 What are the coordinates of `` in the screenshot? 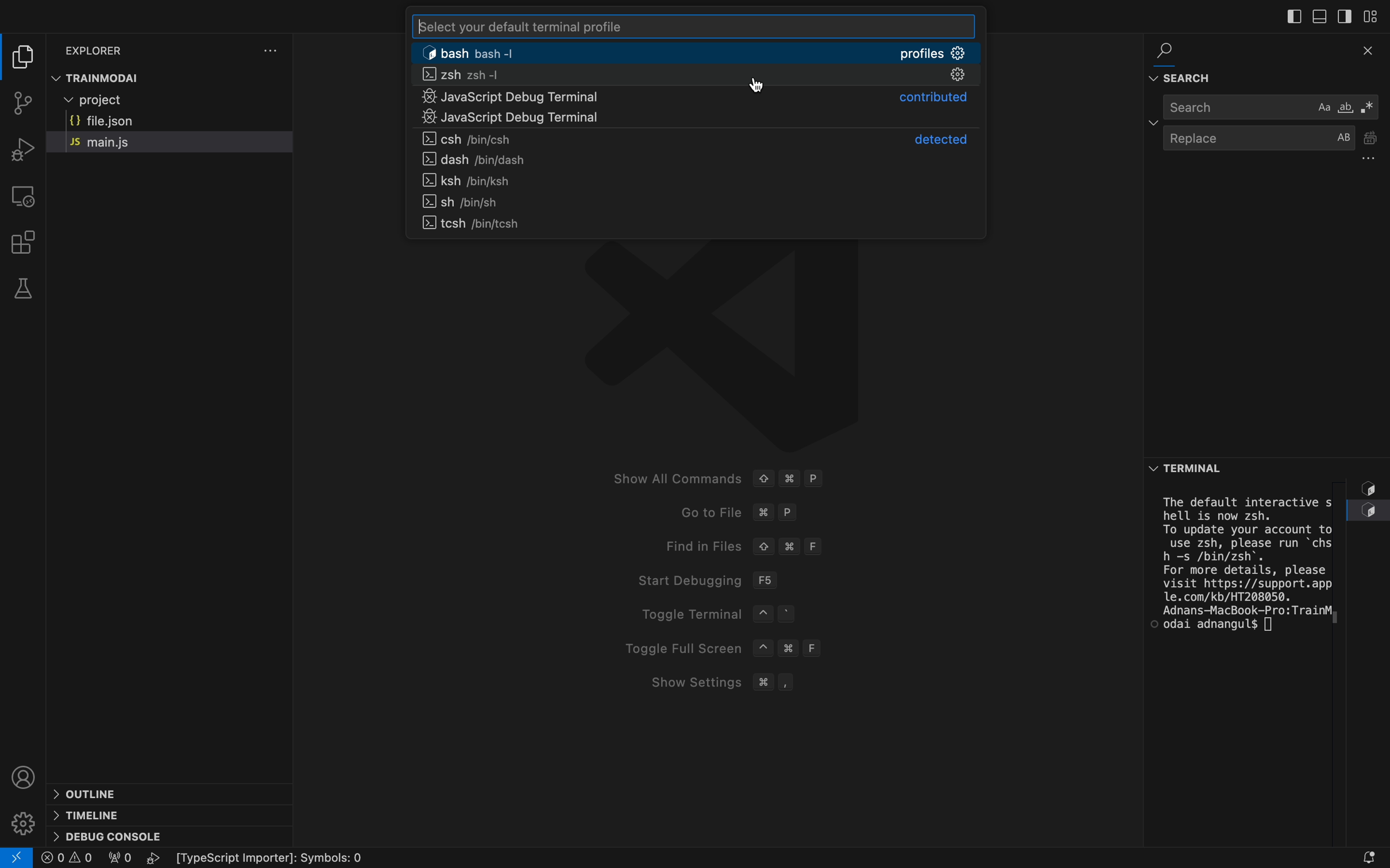 It's located at (693, 137).